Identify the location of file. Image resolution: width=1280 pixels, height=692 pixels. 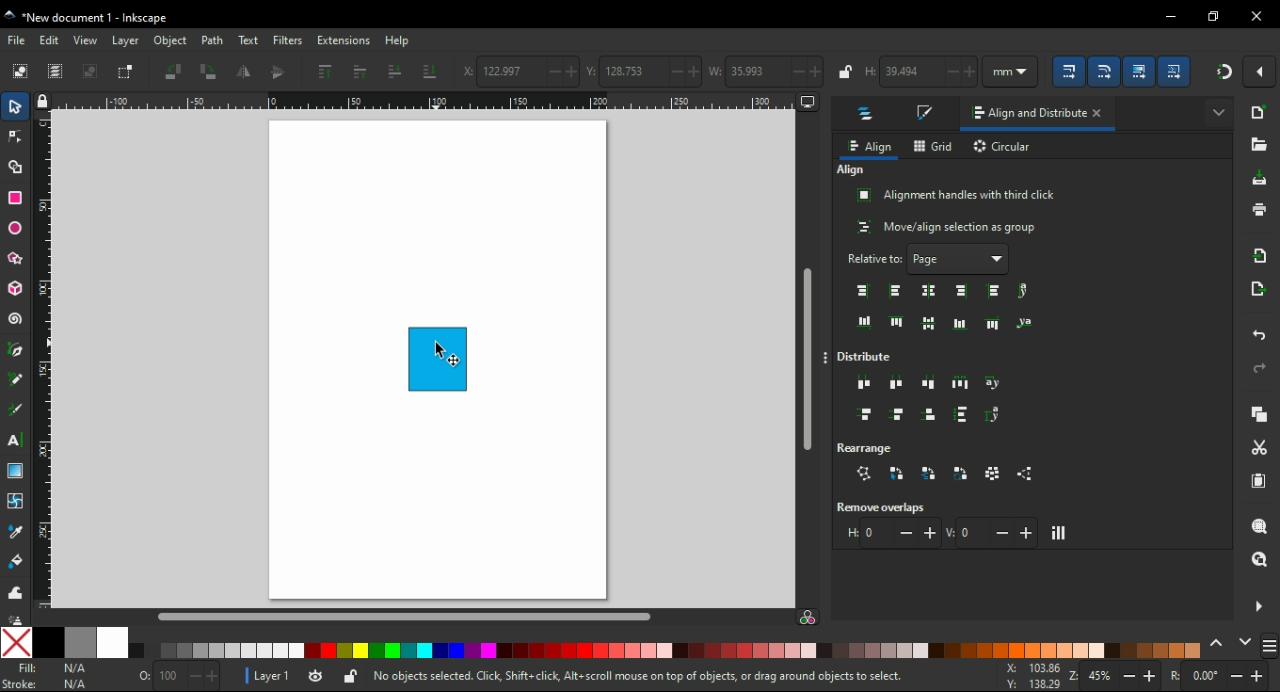
(19, 41).